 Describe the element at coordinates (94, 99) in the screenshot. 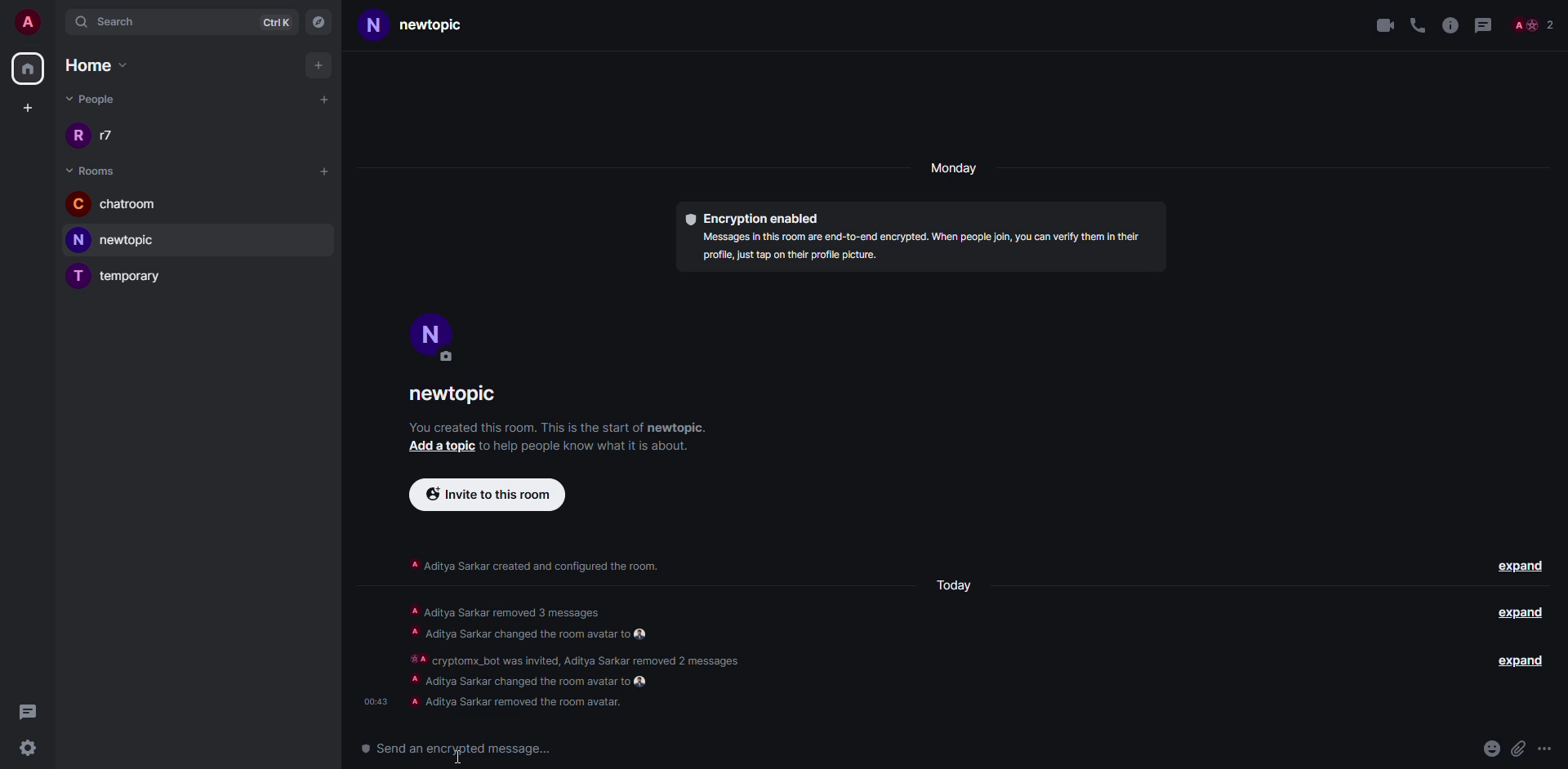

I see `people` at that location.